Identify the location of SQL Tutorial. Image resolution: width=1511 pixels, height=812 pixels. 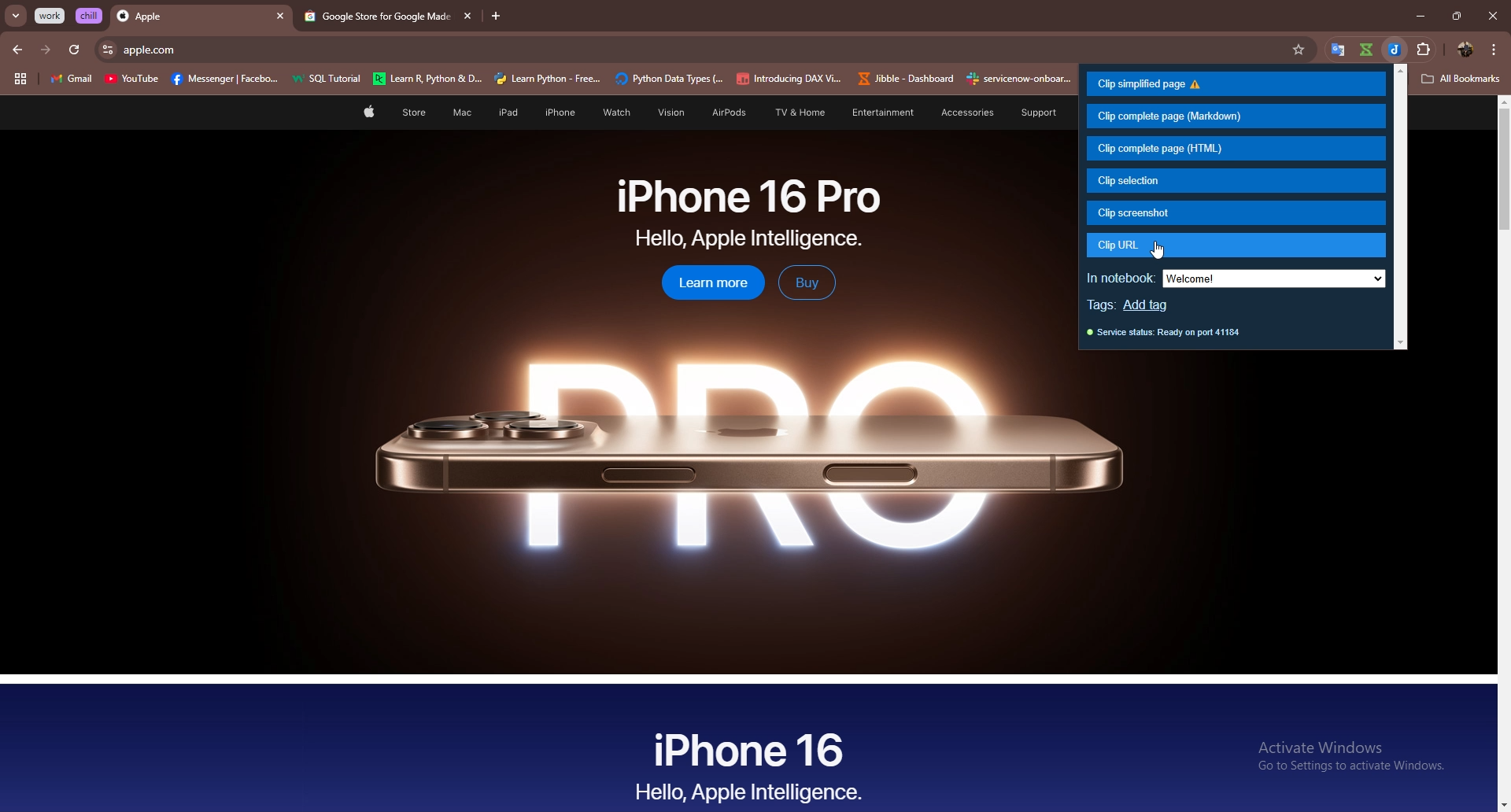
(331, 80).